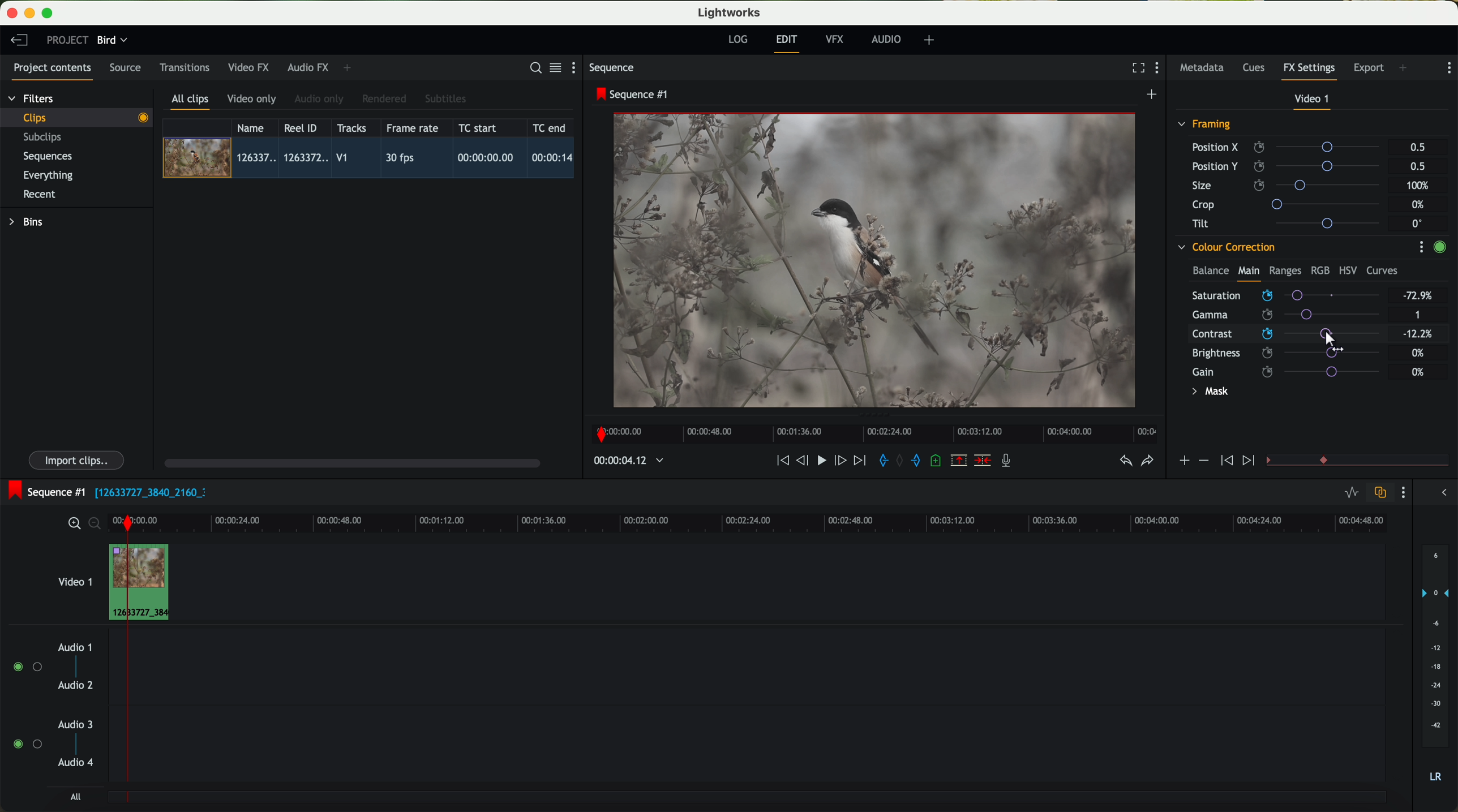 This screenshot has width=1458, height=812. What do you see at coordinates (479, 127) in the screenshot?
I see `TC start` at bounding box center [479, 127].